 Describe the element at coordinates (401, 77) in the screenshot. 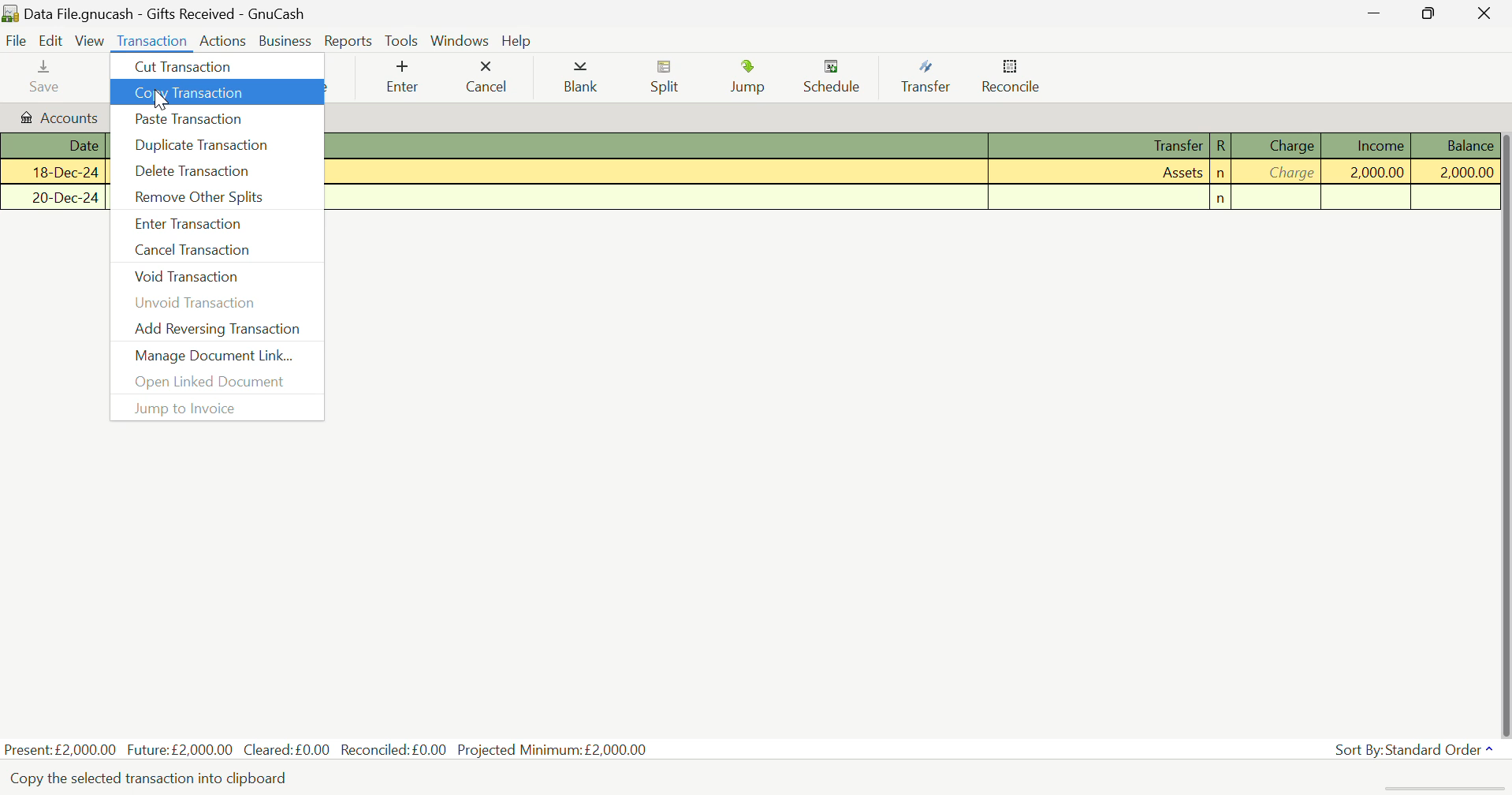

I see `Enter` at that location.